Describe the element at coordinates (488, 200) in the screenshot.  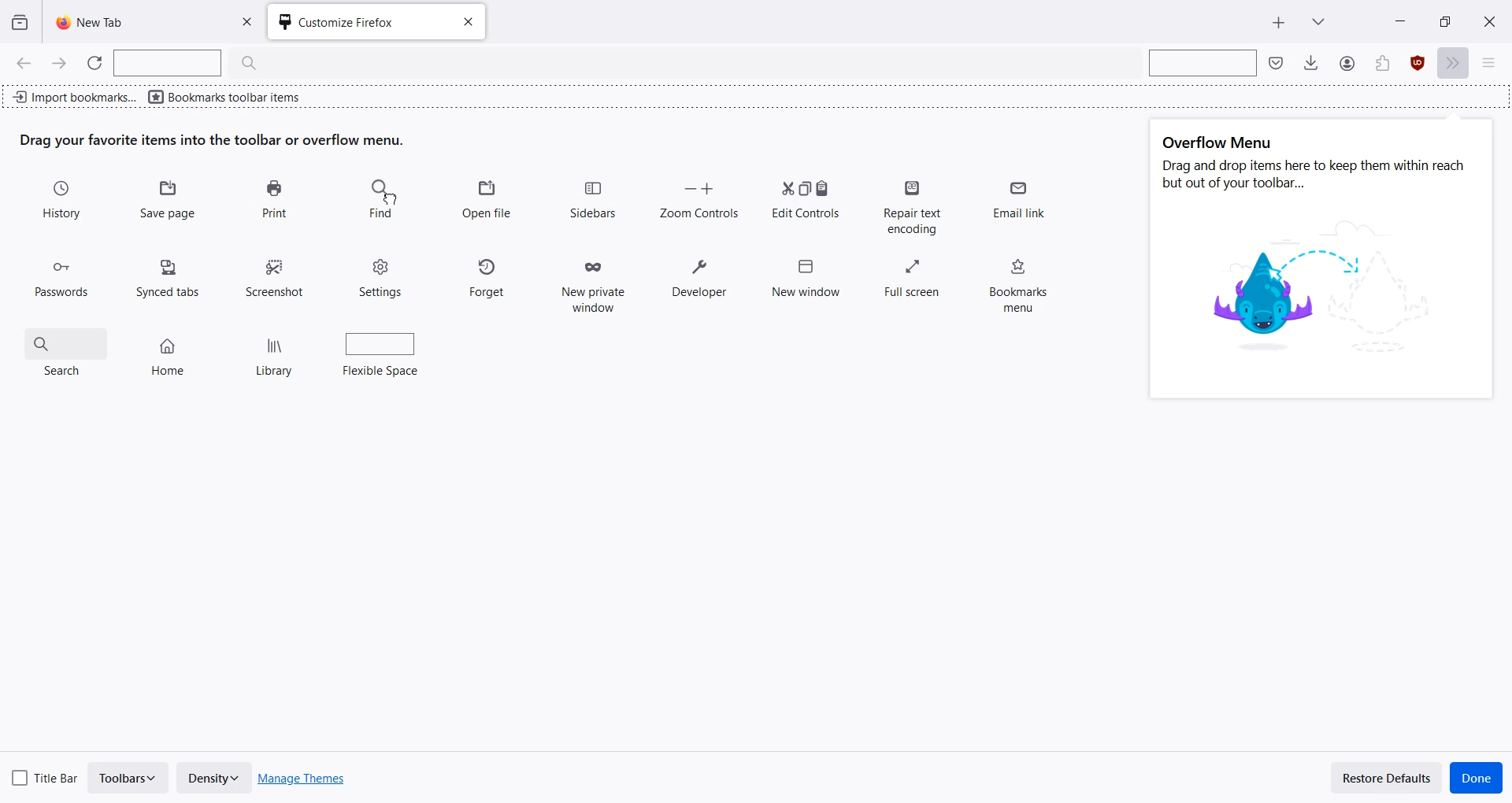
I see `Open file` at that location.